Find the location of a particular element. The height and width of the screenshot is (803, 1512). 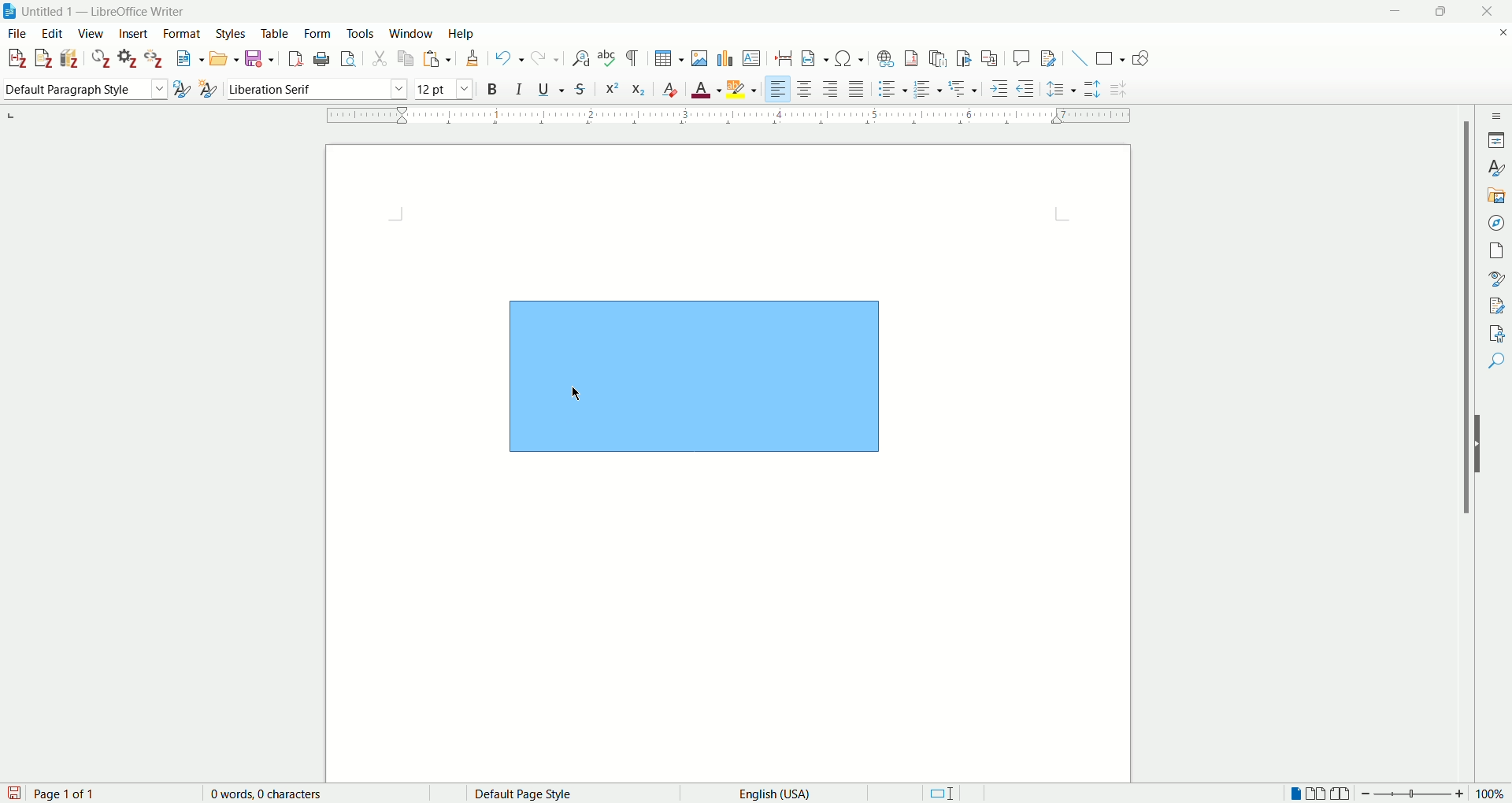

insert line is located at coordinates (1078, 58).